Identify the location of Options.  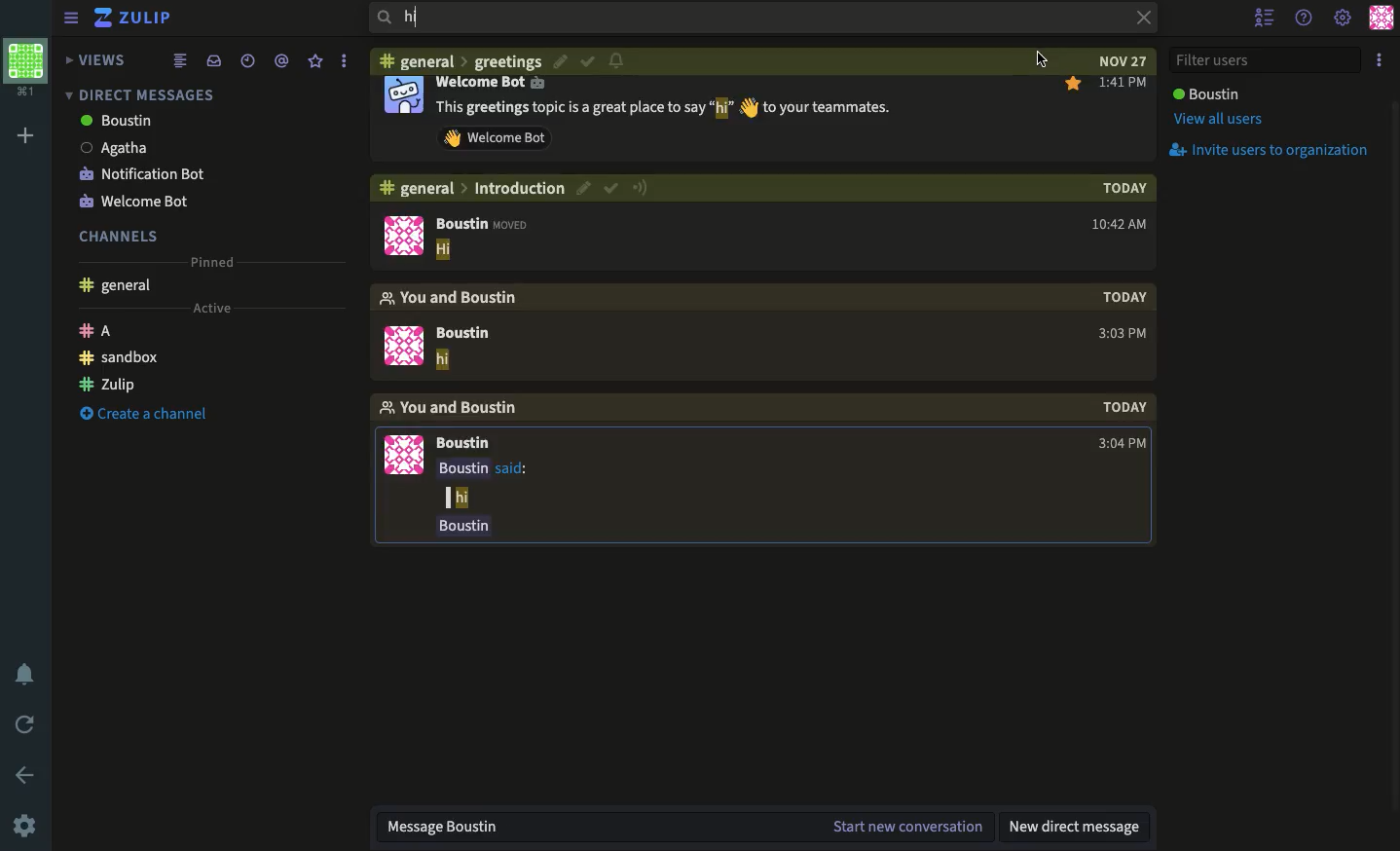
(342, 60).